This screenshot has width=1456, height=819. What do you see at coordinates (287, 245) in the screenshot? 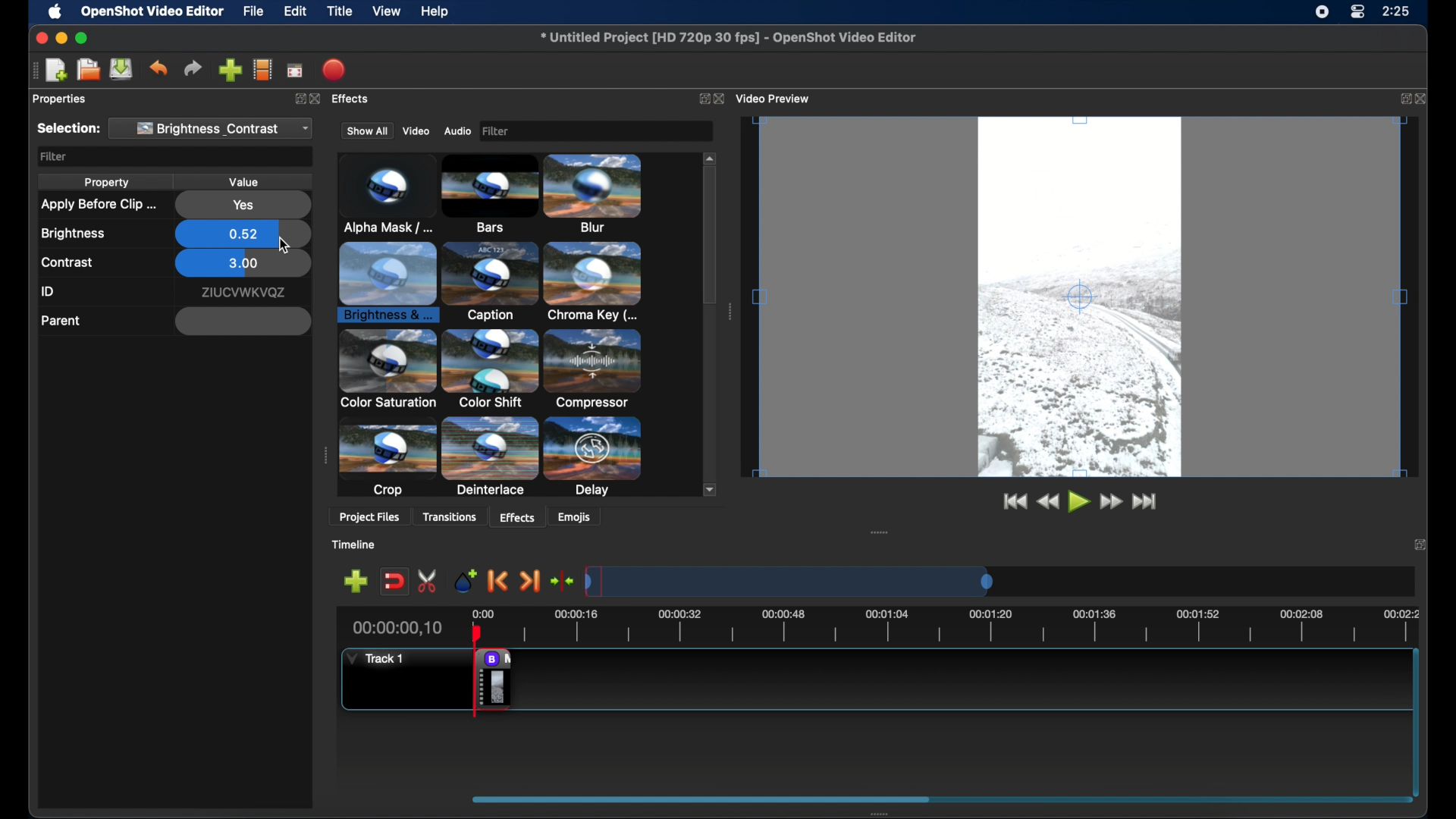
I see `cursor` at bounding box center [287, 245].